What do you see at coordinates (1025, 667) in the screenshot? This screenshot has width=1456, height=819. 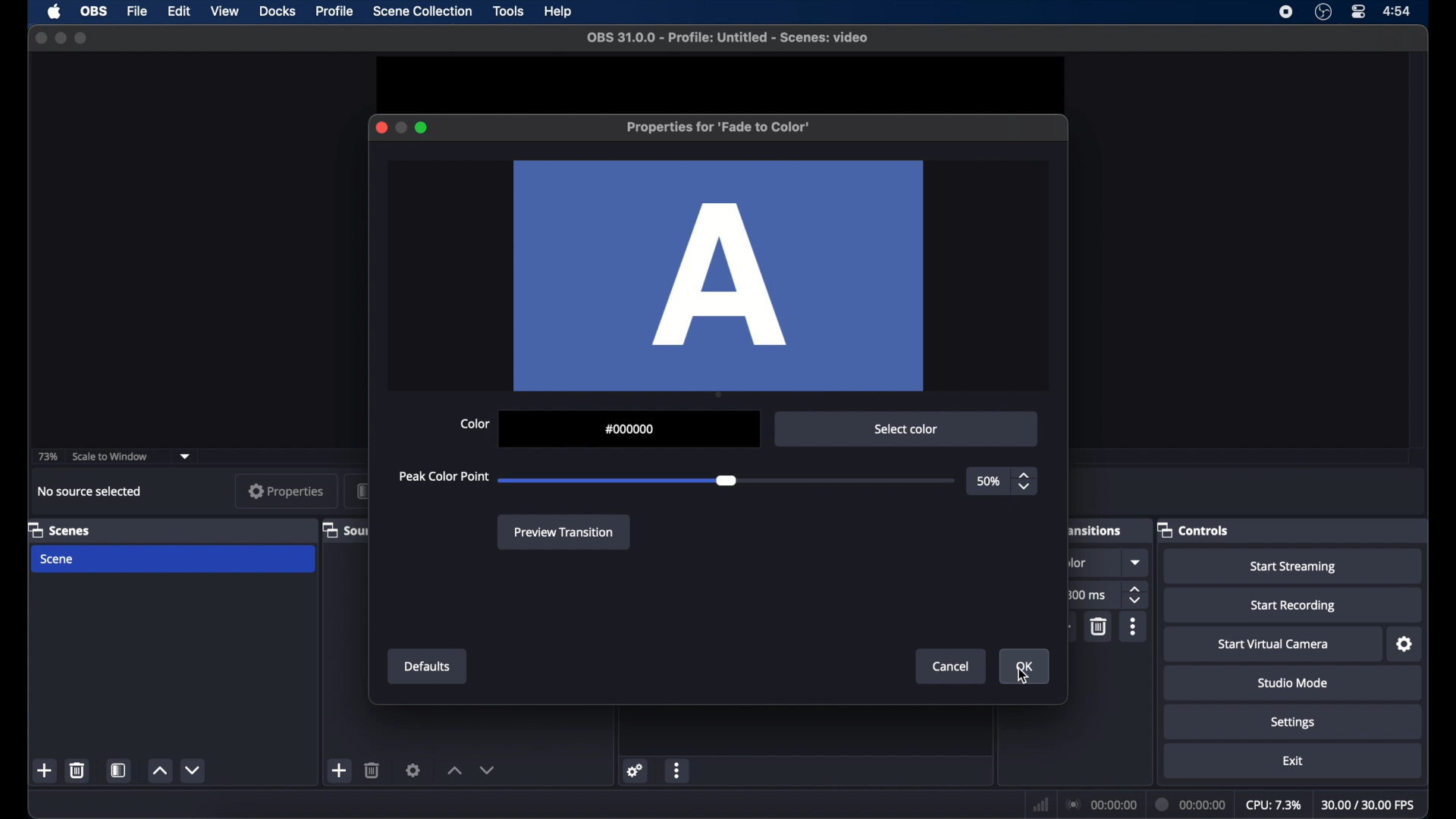 I see `ok` at bounding box center [1025, 667].